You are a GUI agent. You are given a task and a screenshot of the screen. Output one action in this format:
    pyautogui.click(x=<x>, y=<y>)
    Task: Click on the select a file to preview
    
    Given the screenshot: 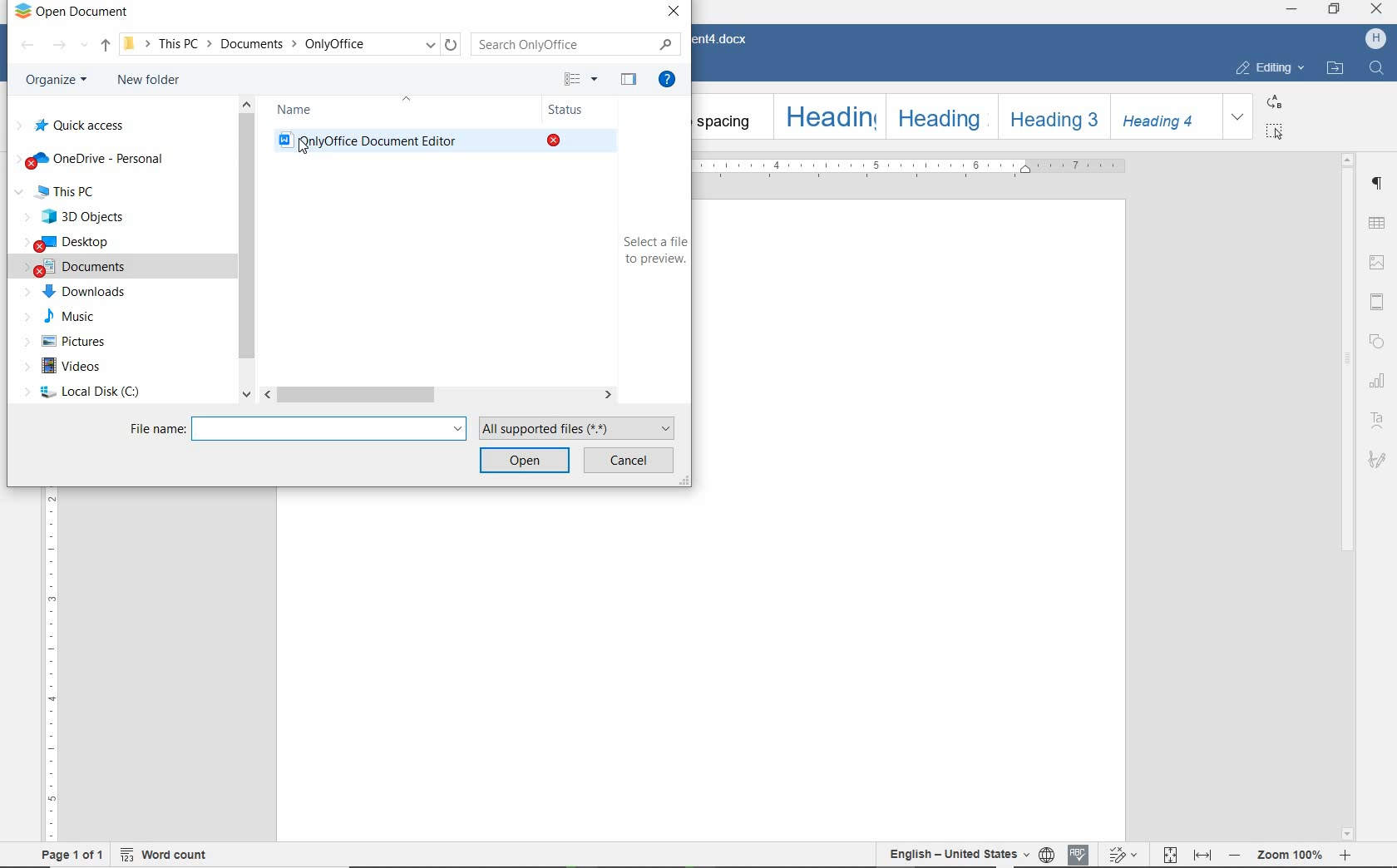 What is the action you would take?
    pyautogui.click(x=653, y=253)
    